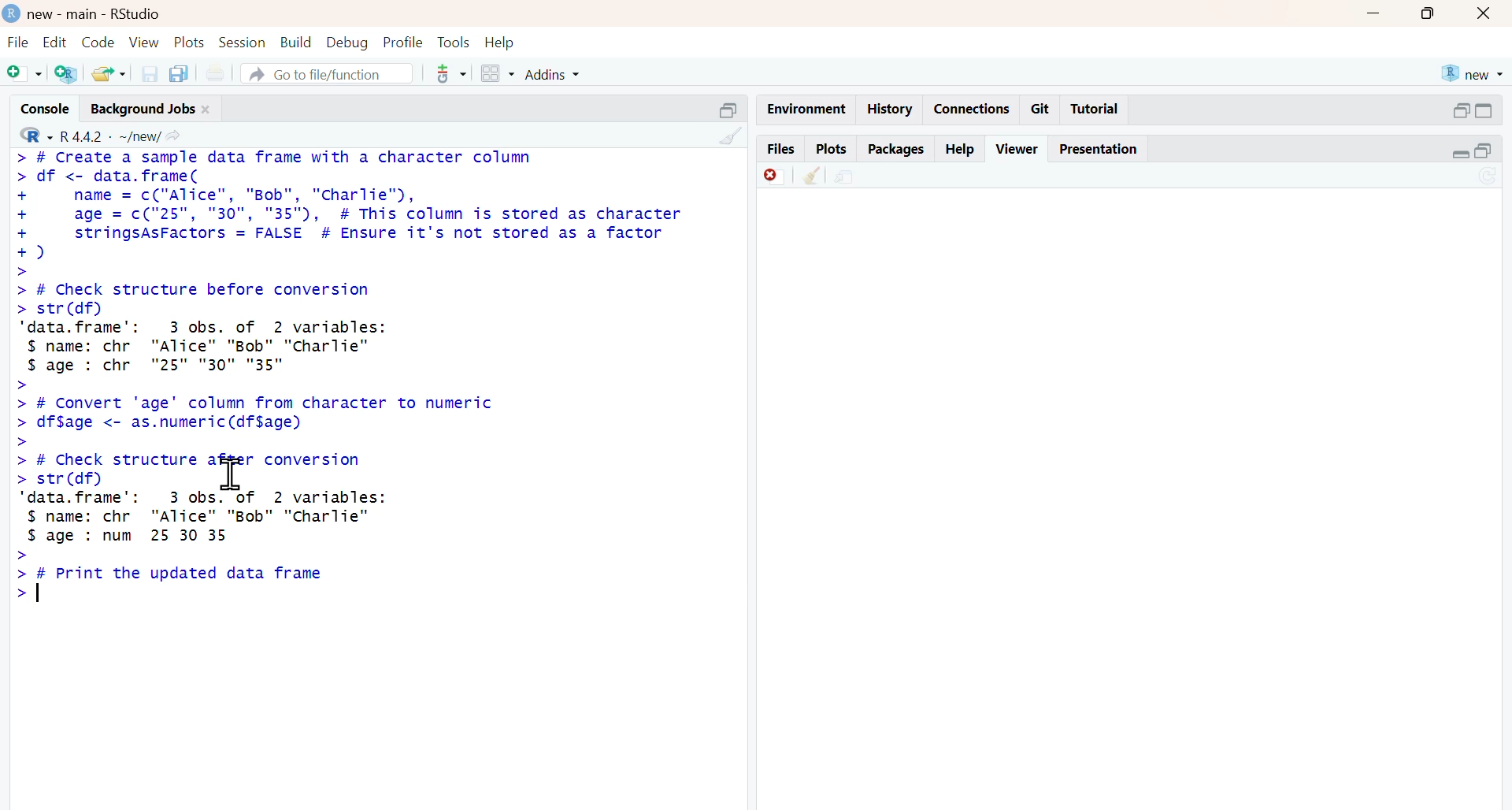 This screenshot has height=810, width=1512. What do you see at coordinates (1462, 154) in the screenshot?
I see `expand/collapse` at bounding box center [1462, 154].